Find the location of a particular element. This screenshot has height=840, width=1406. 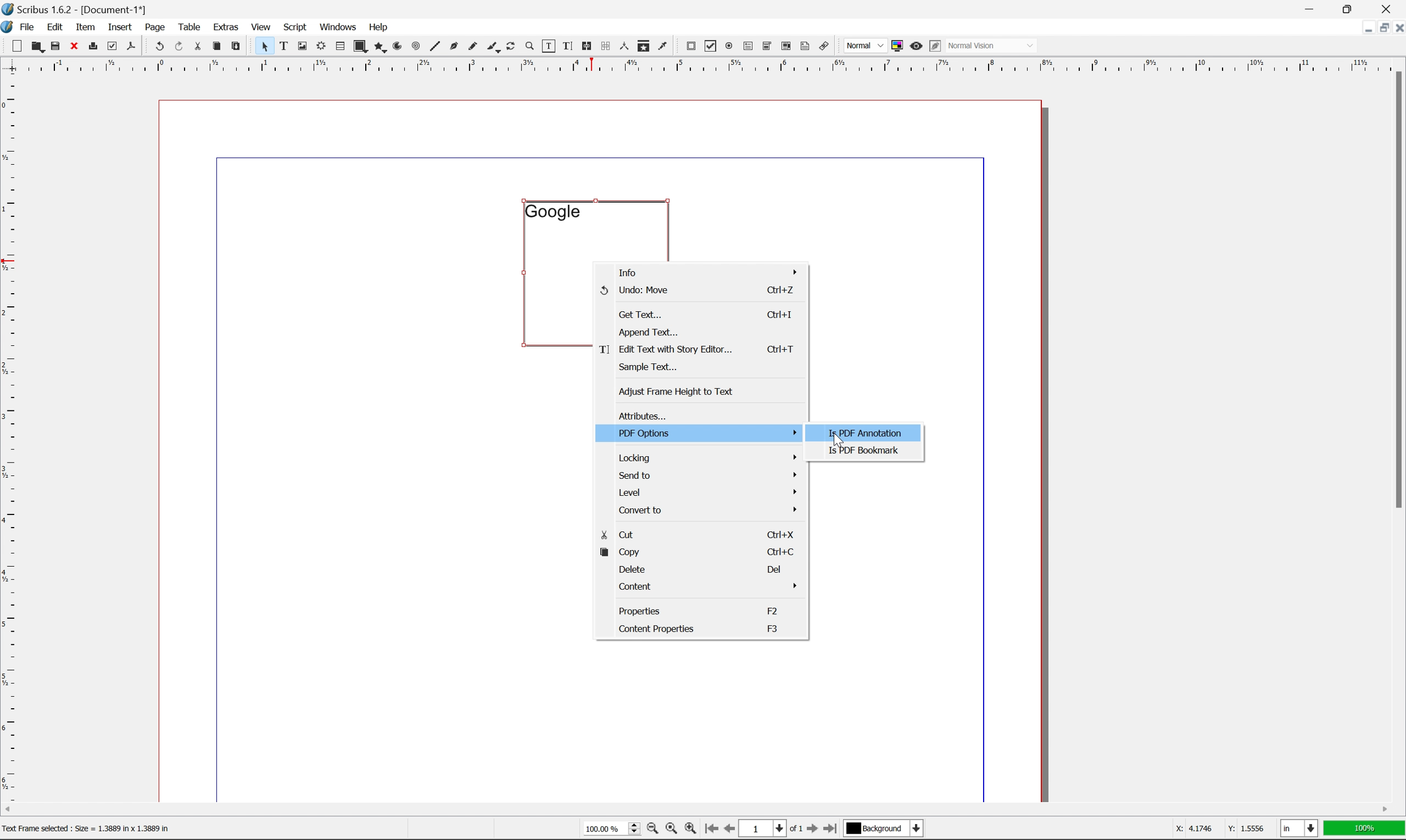

link annotation is located at coordinates (824, 47).